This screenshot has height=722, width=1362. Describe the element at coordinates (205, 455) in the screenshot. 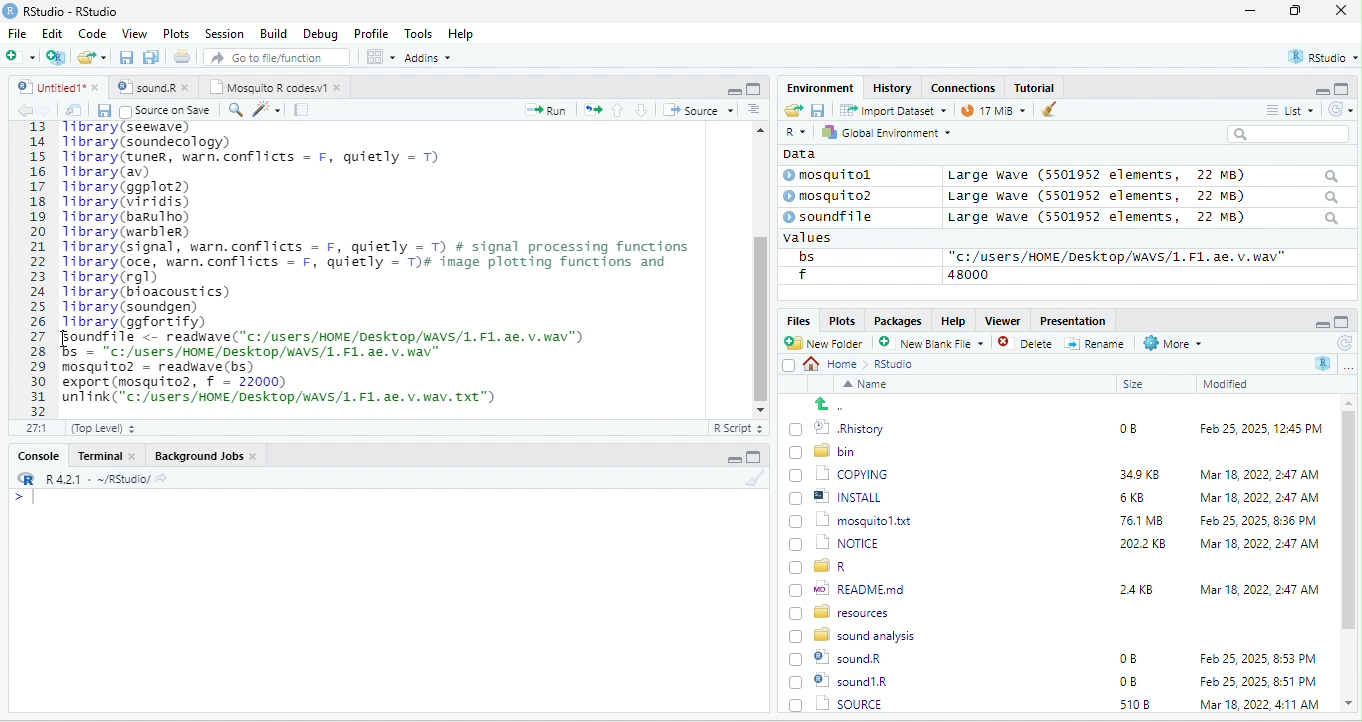

I see `Background Jobs` at that location.